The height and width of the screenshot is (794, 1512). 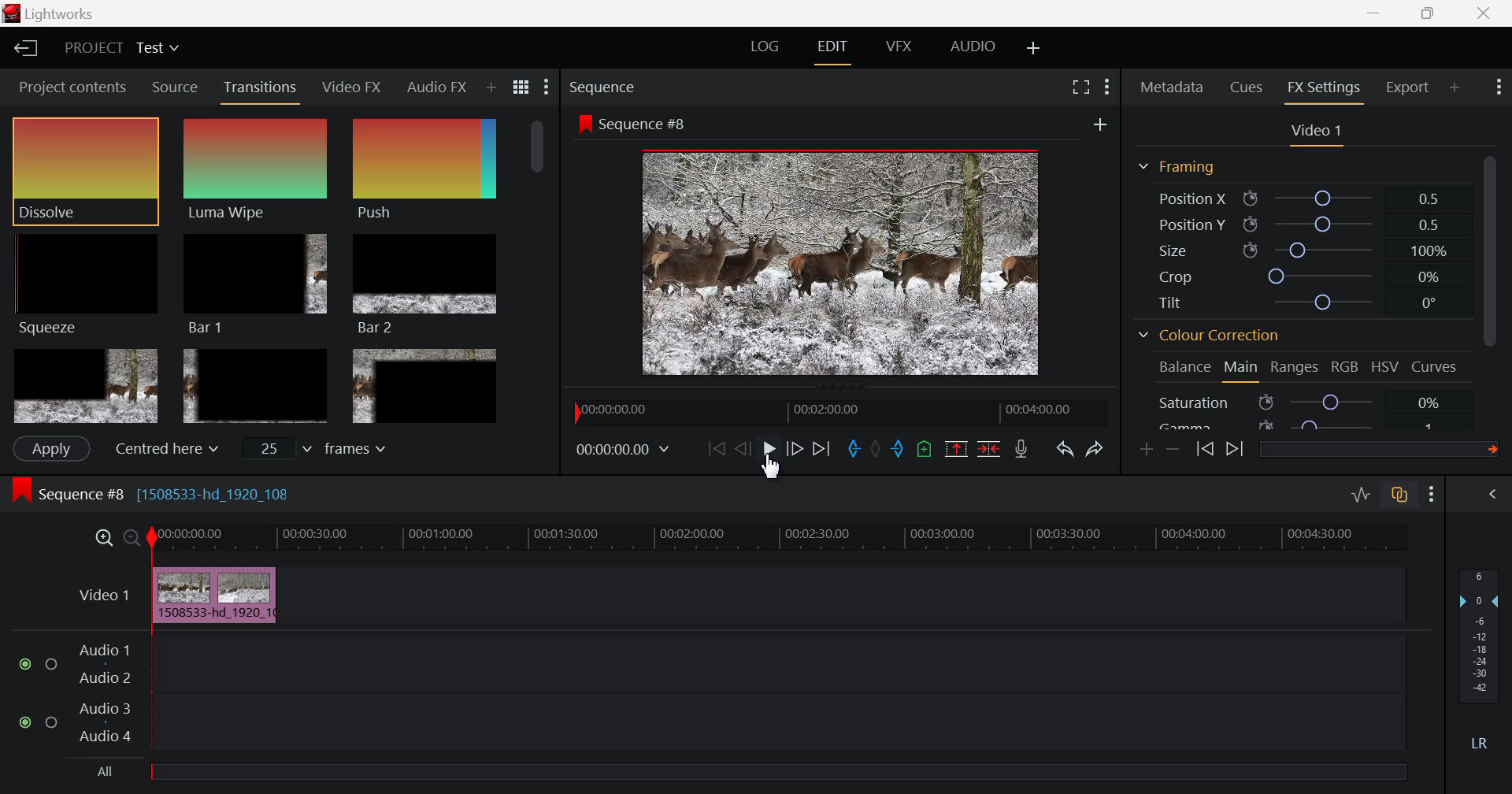 What do you see at coordinates (1304, 224) in the screenshot?
I see `Position Y` at bounding box center [1304, 224].